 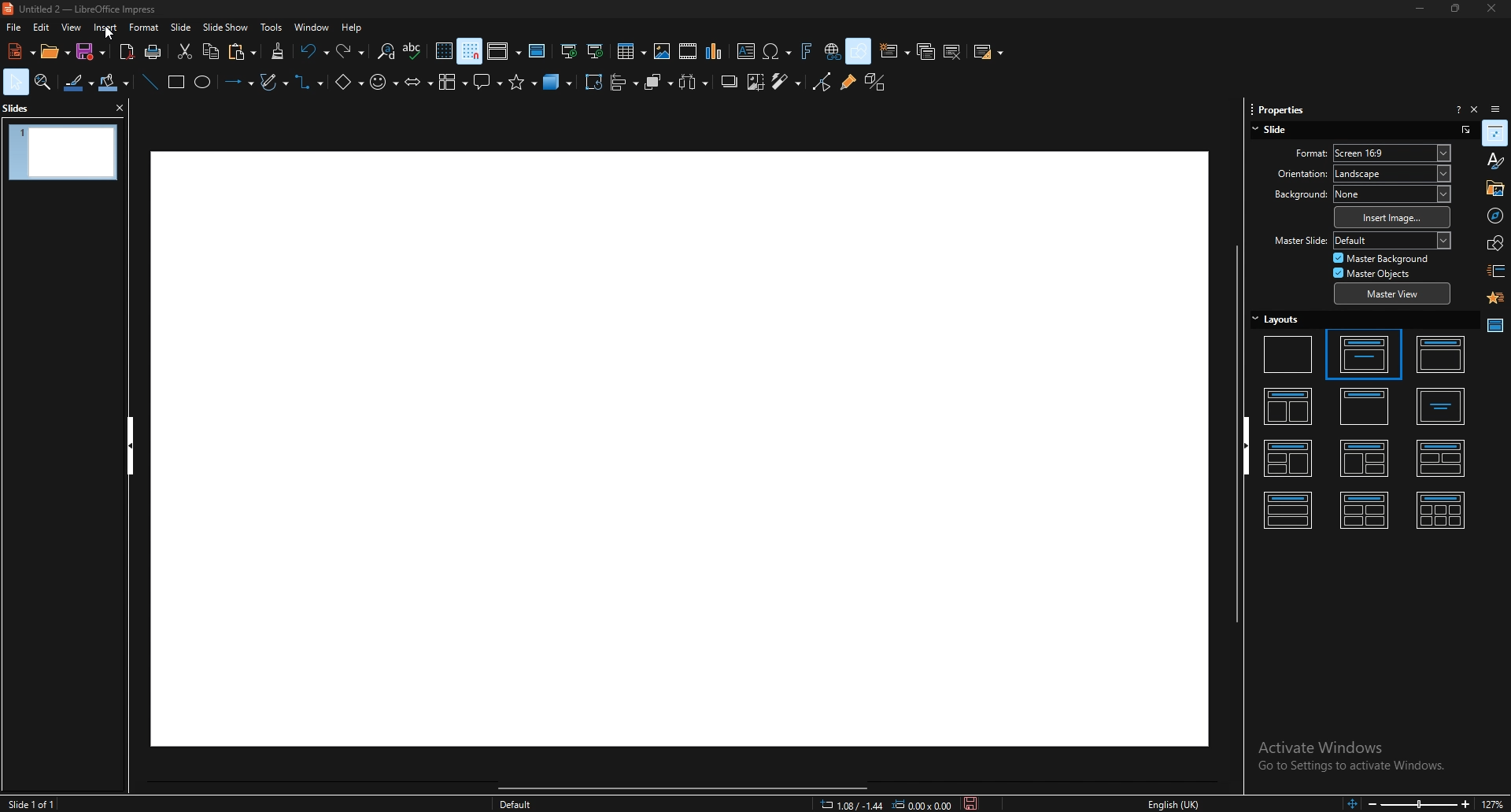 What do you see at coordinates (227, 27) in the screenshot?
I see `slide show` at bounding box center [227, 27].